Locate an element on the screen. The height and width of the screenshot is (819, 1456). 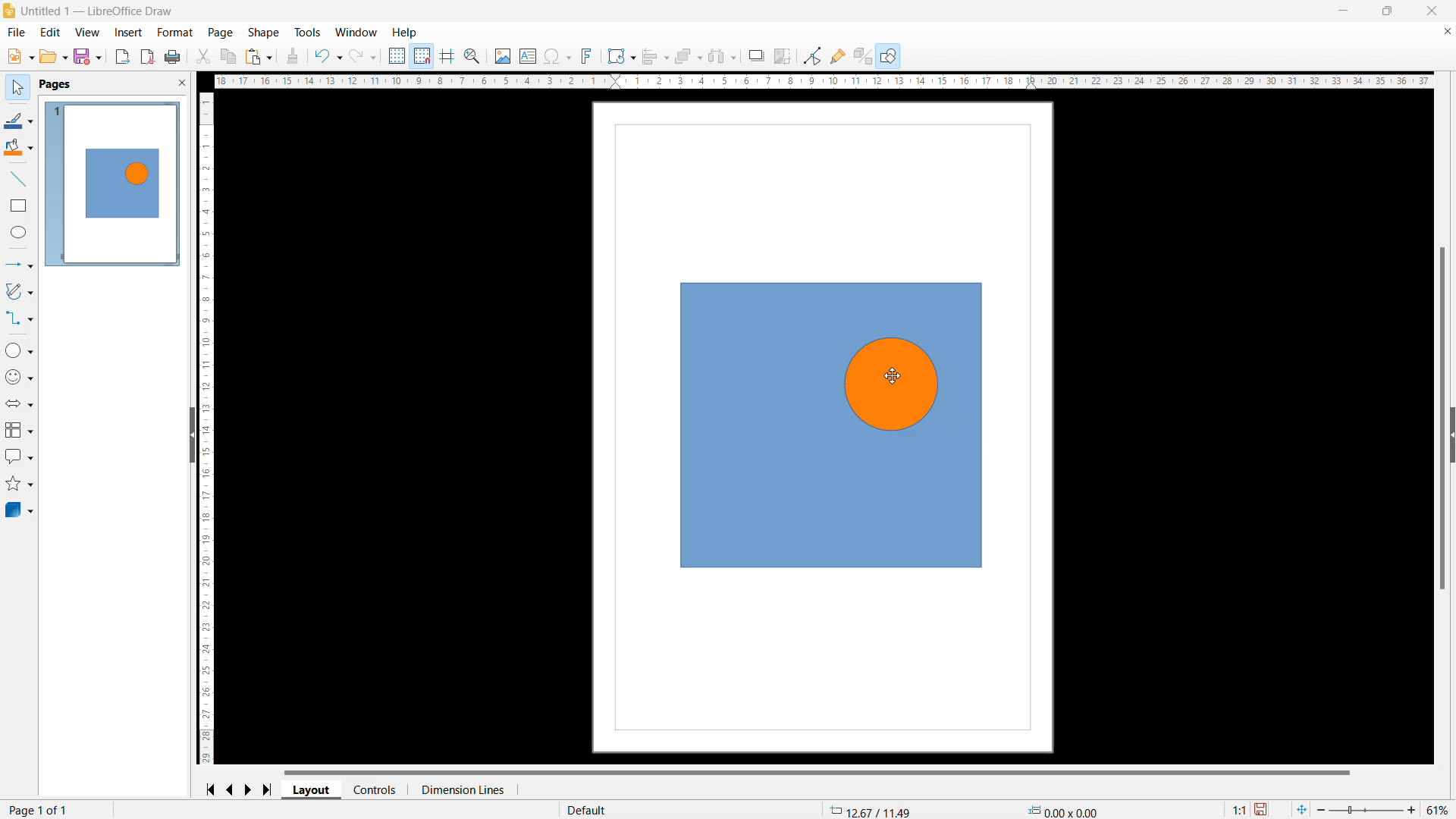
transformations is located at coordinates (620, 56).